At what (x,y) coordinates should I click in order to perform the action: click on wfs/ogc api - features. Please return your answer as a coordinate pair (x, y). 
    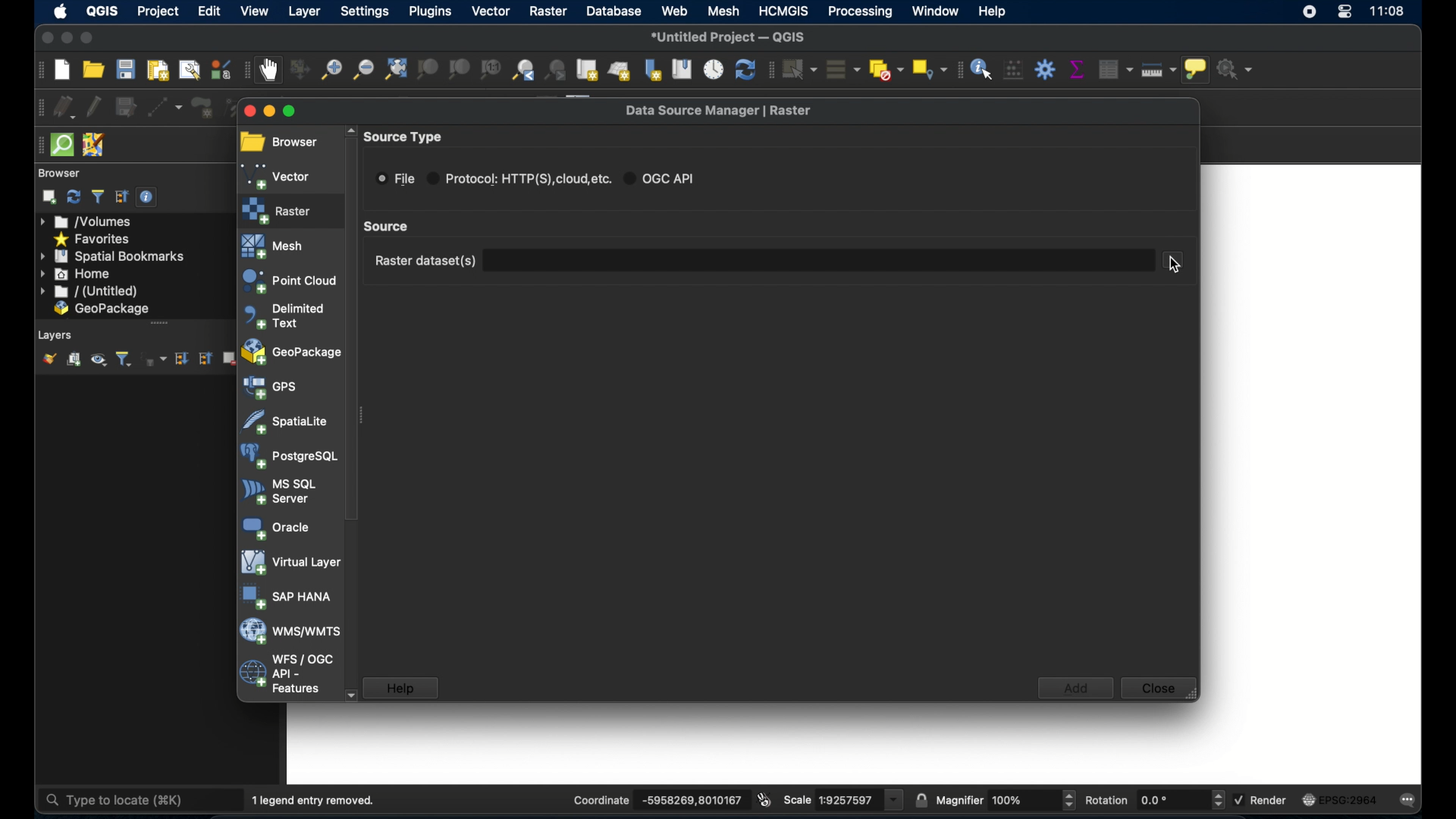
    Looking at the image, I should click on (286, 675).